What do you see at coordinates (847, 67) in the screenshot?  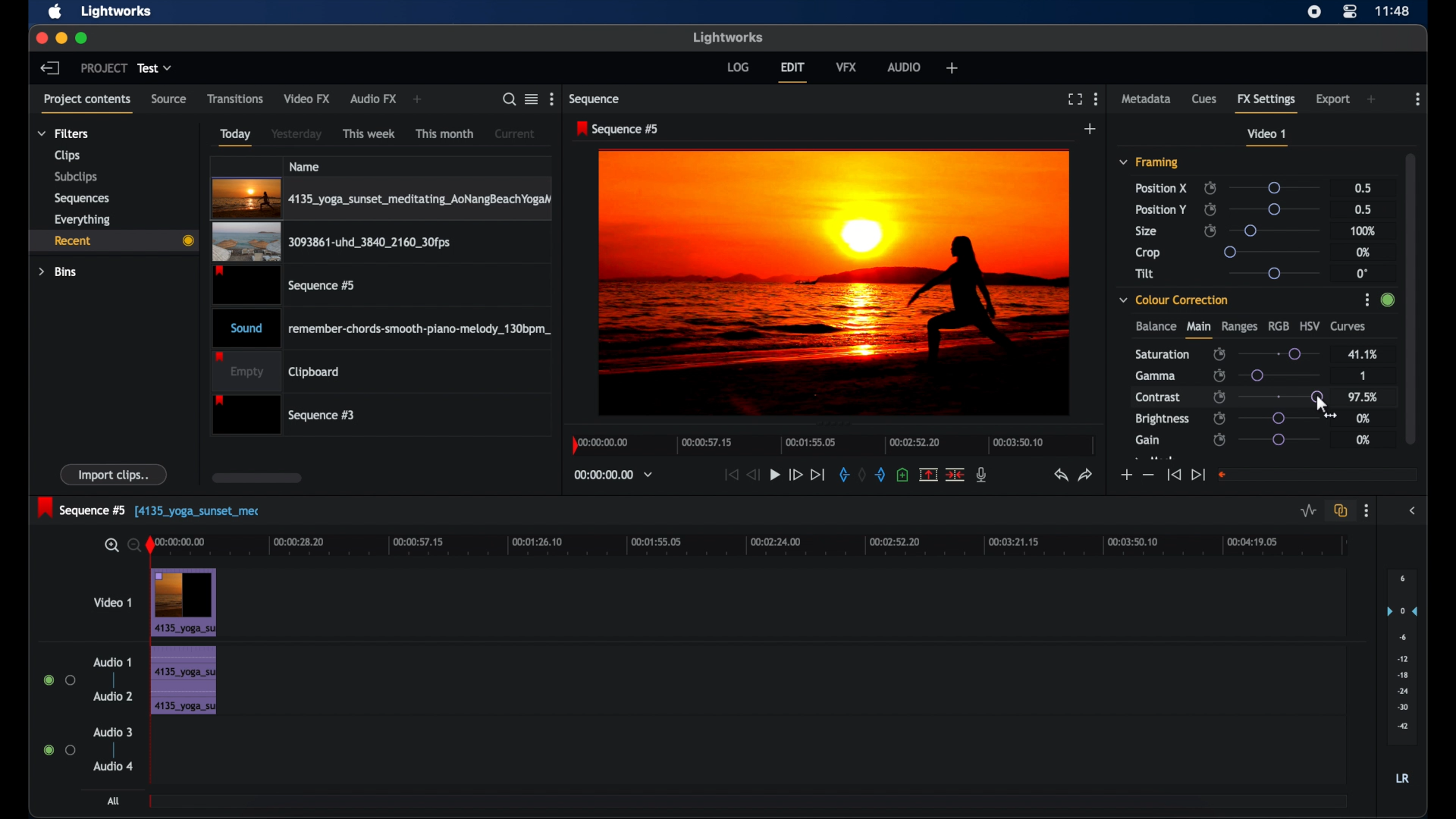 I see `vfx` at bounding box center [847, 67].